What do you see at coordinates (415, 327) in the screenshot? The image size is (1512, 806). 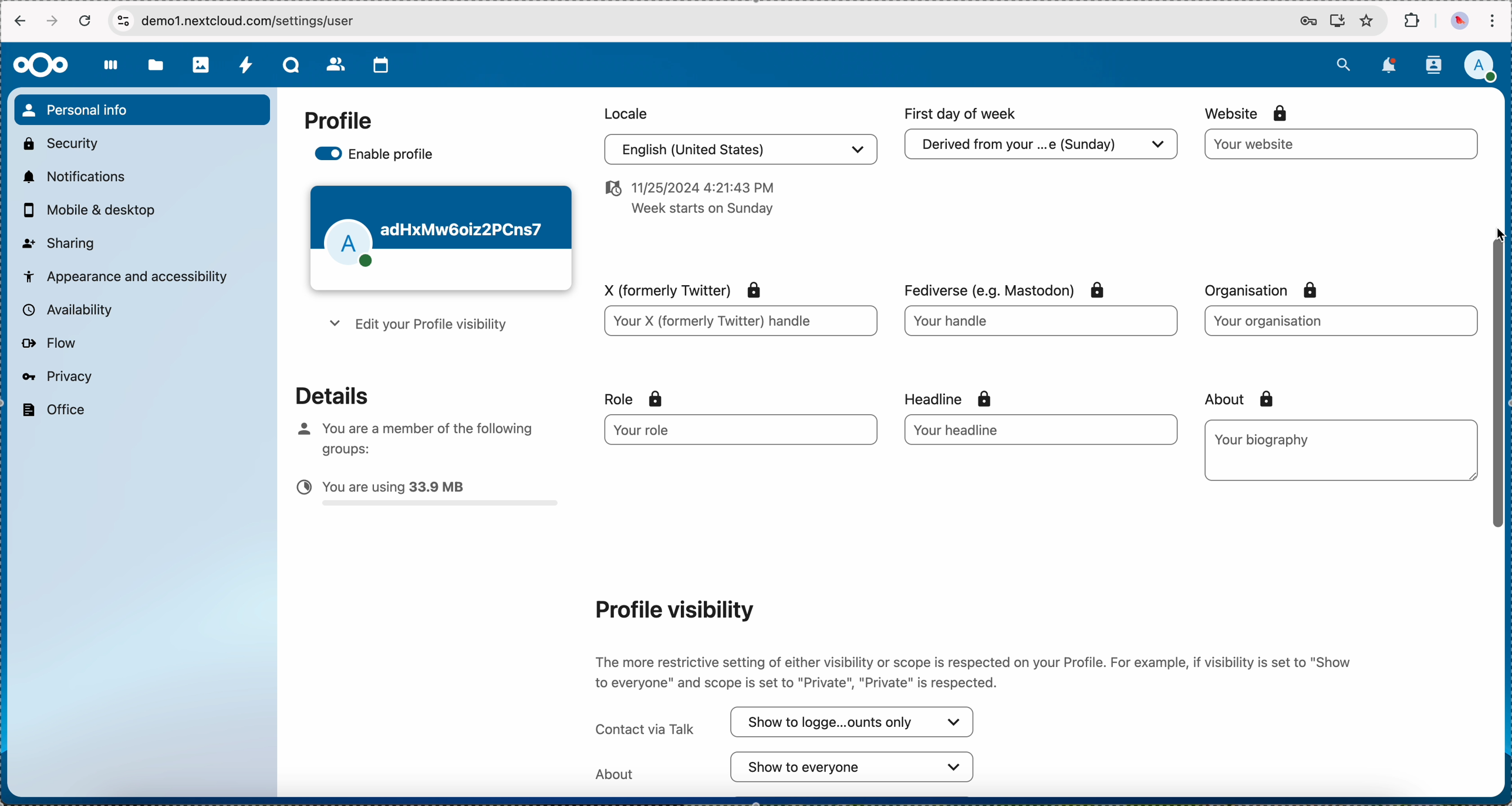 I see `edit your profile visibility` at bounding box center [415, 327].